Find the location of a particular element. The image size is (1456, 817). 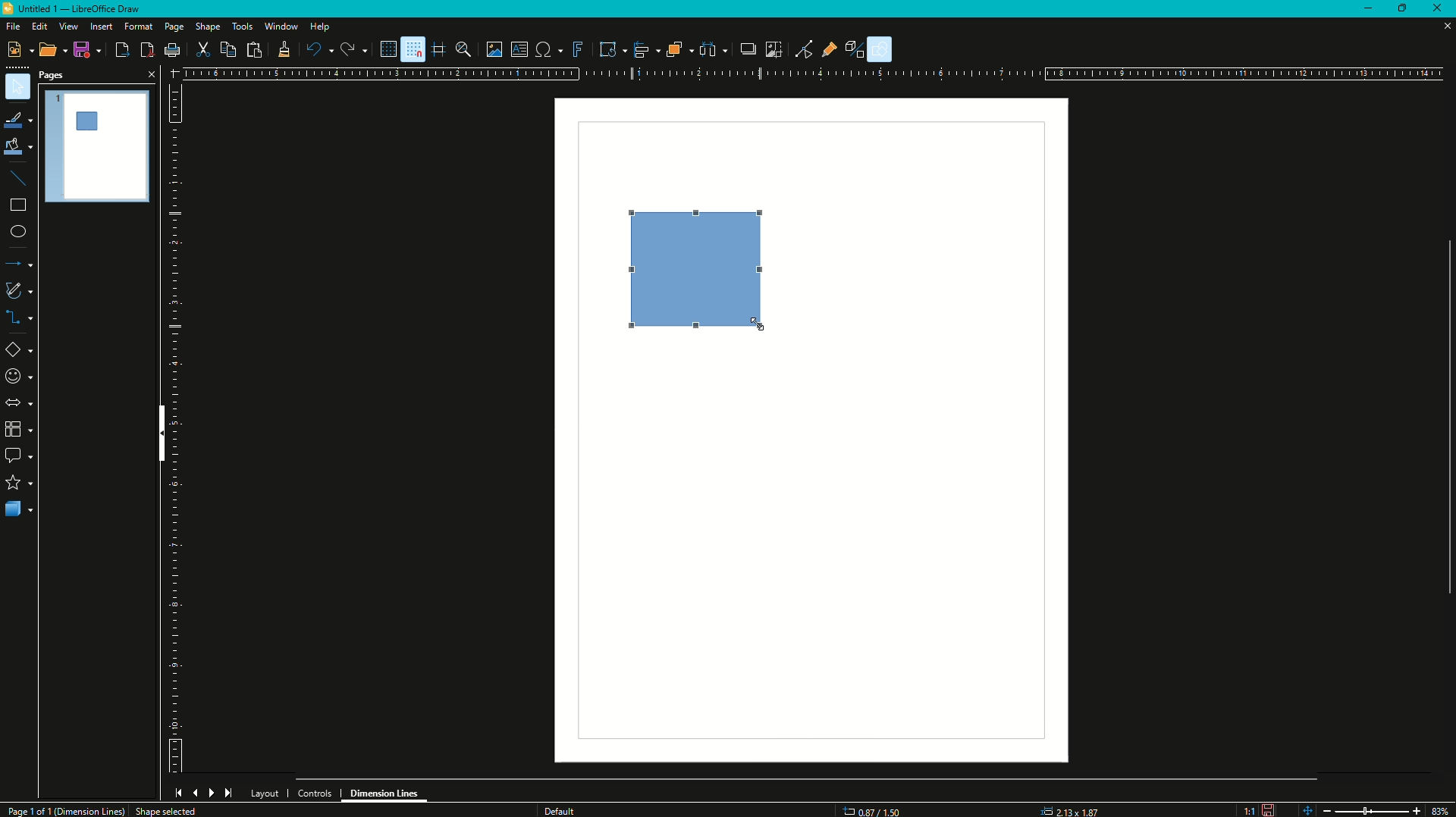

Sketch is located at coordinates (20, 290).